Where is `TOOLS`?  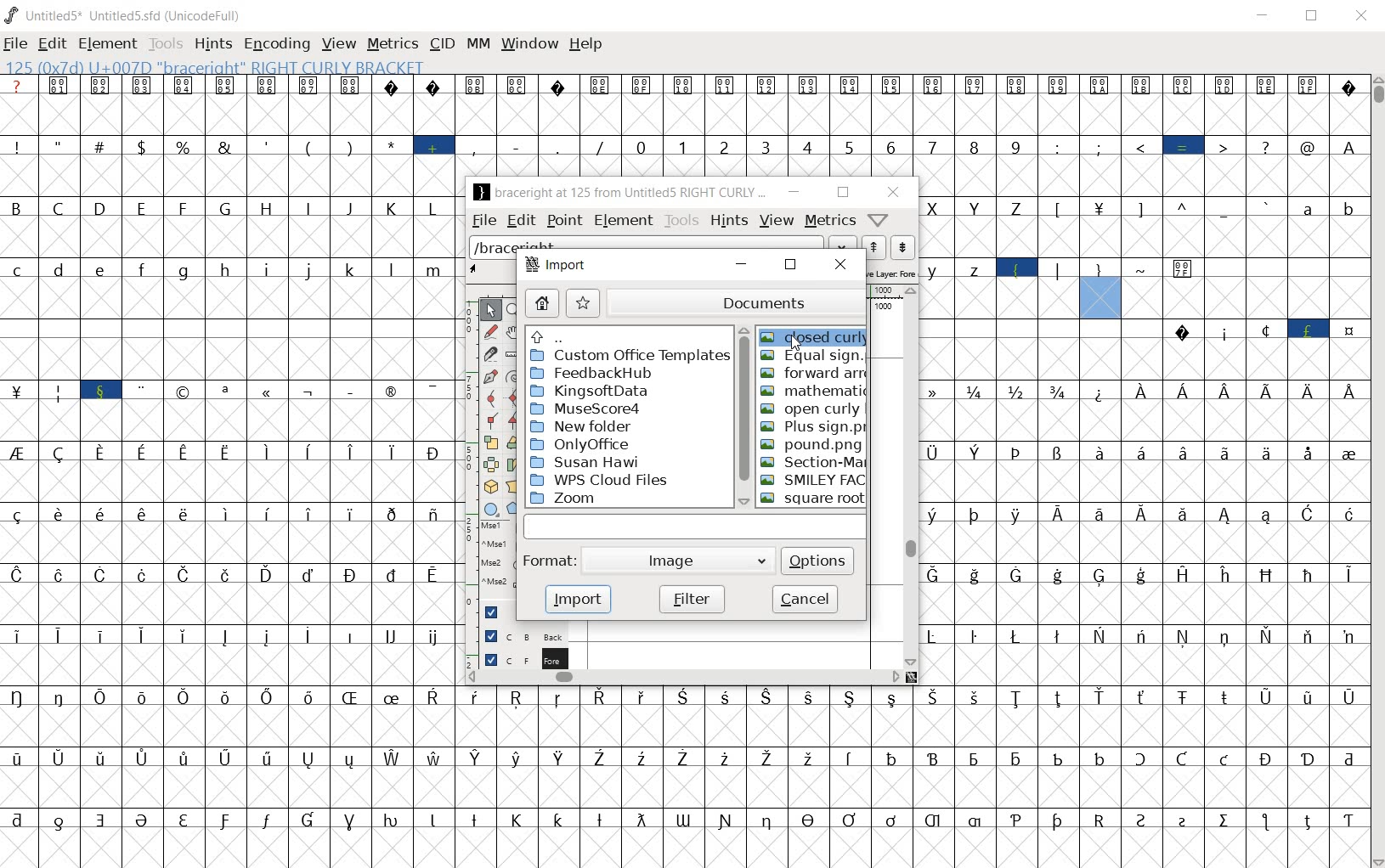 TOOLS is located at coordinates (164, 45).